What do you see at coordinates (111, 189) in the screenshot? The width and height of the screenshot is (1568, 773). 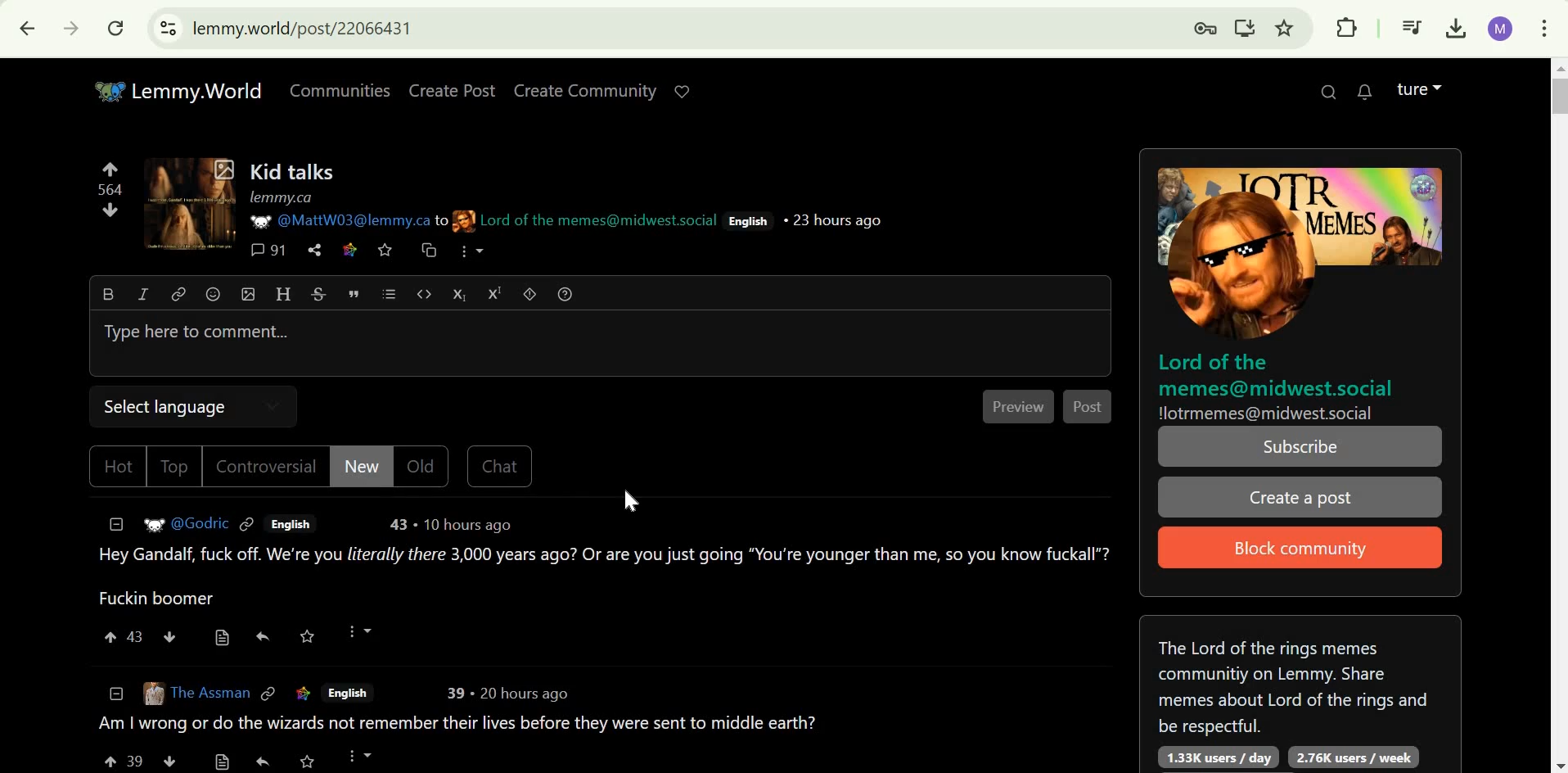 I see `points` at bounding box center [111, 189].